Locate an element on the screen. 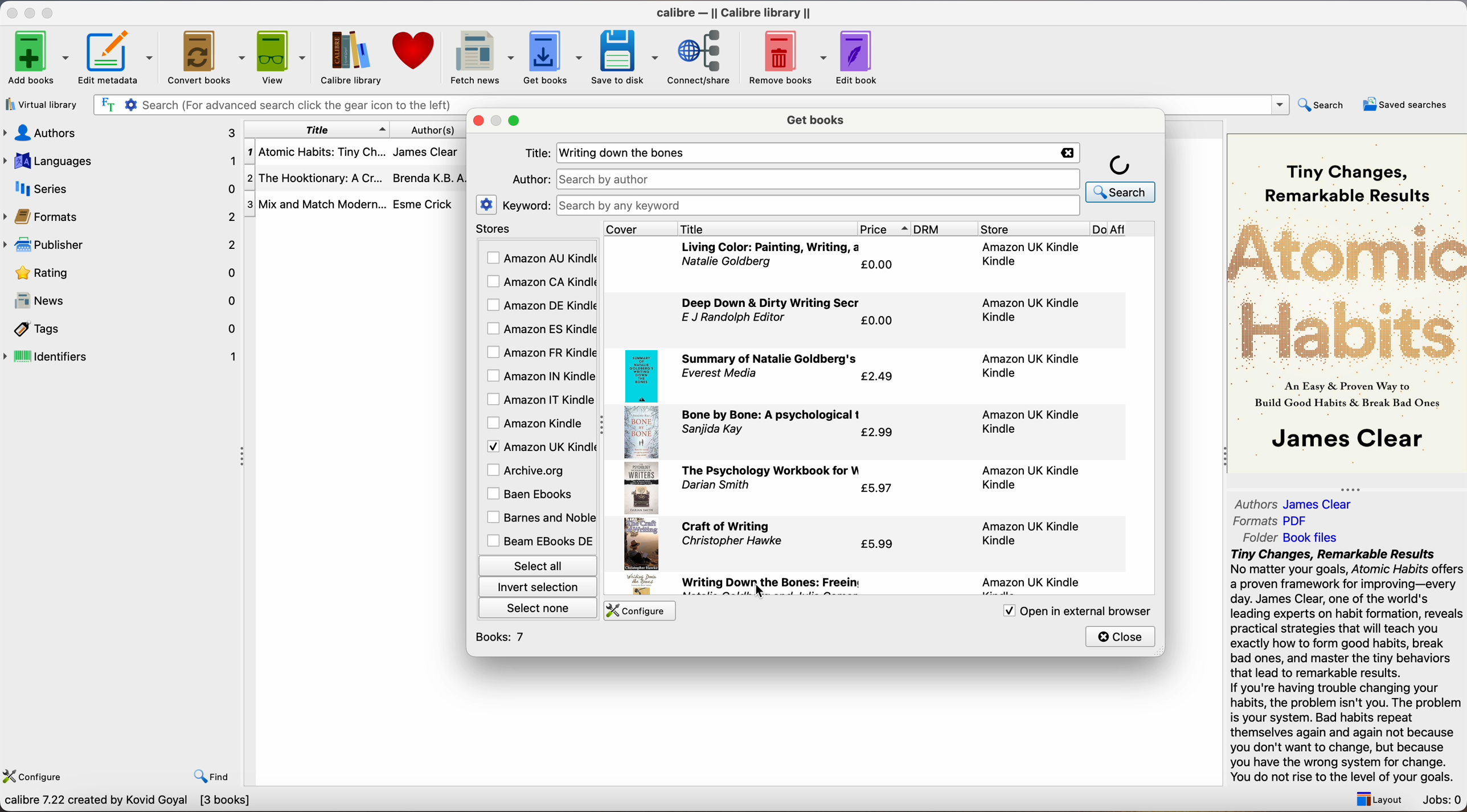 This screenshot has width=1467, height=812. search is located at coordinates (1121, 177).